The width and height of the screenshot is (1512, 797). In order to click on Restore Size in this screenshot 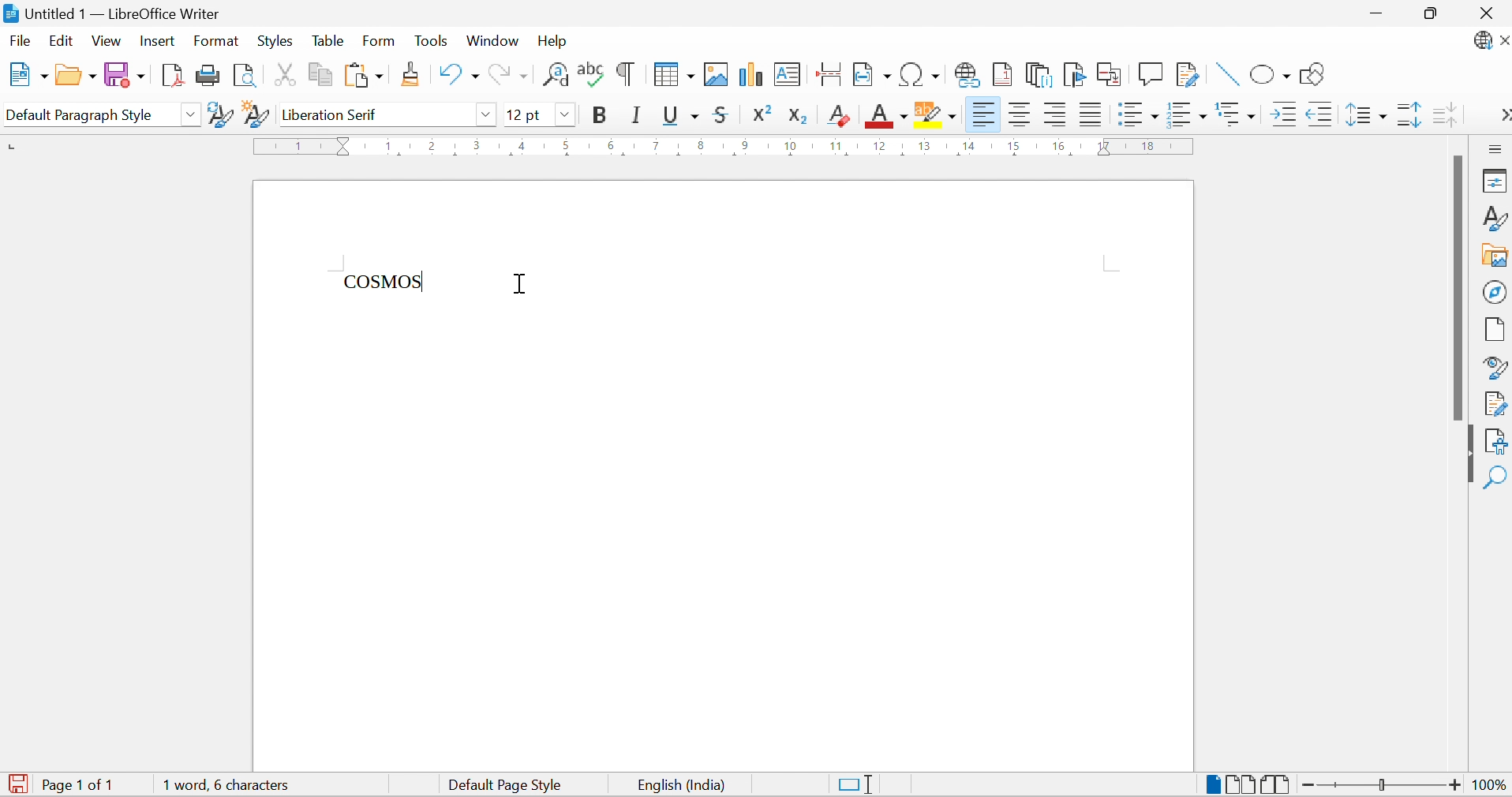, I will do `click(1432, 17)`.